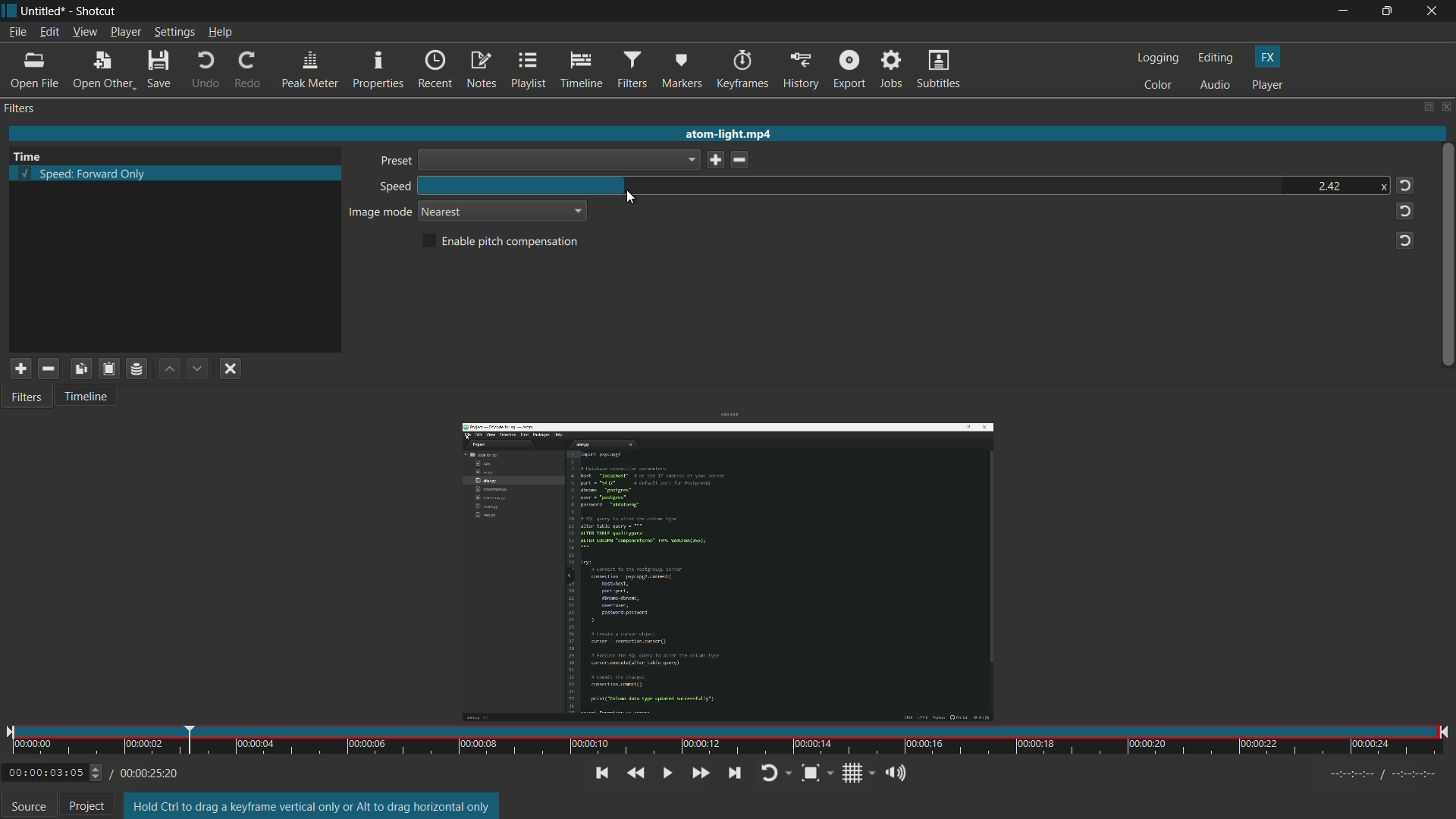 The height and width of the screenshot is (819, 1456). I want to click on time, so click(730, 739).